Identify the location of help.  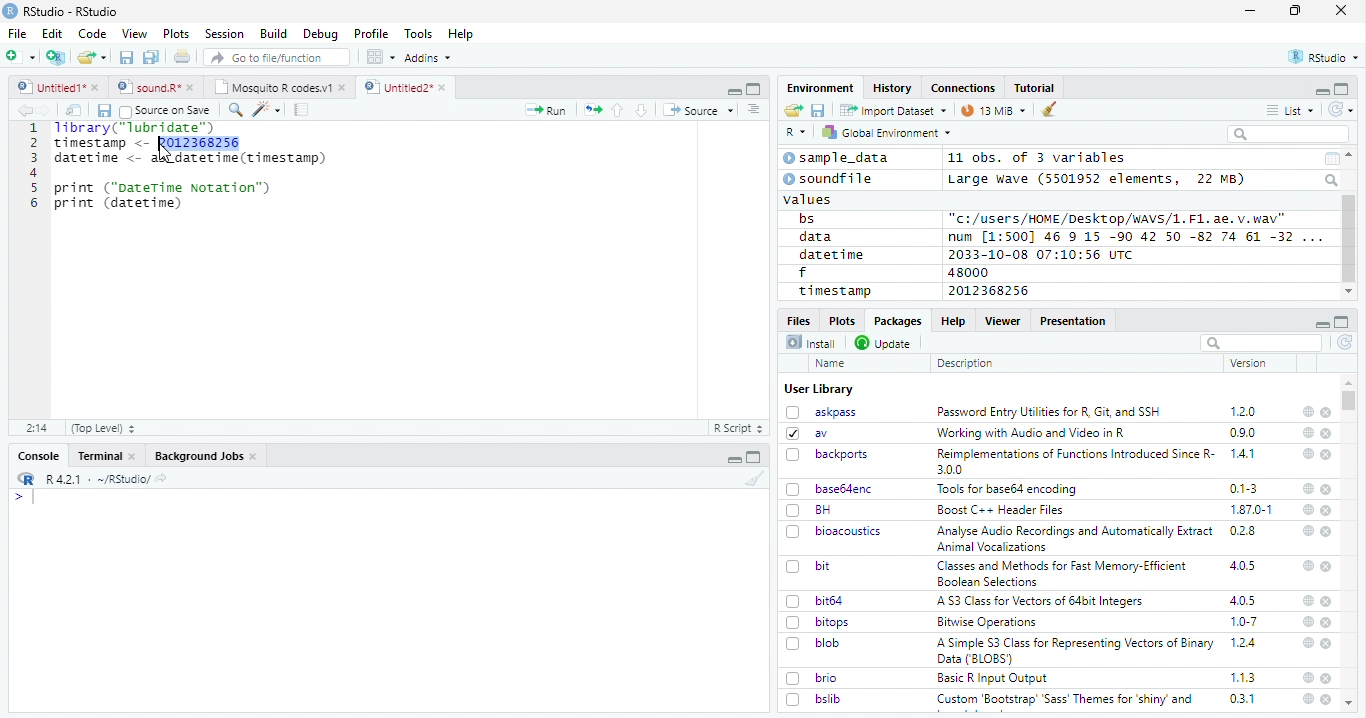
(1307, 411).